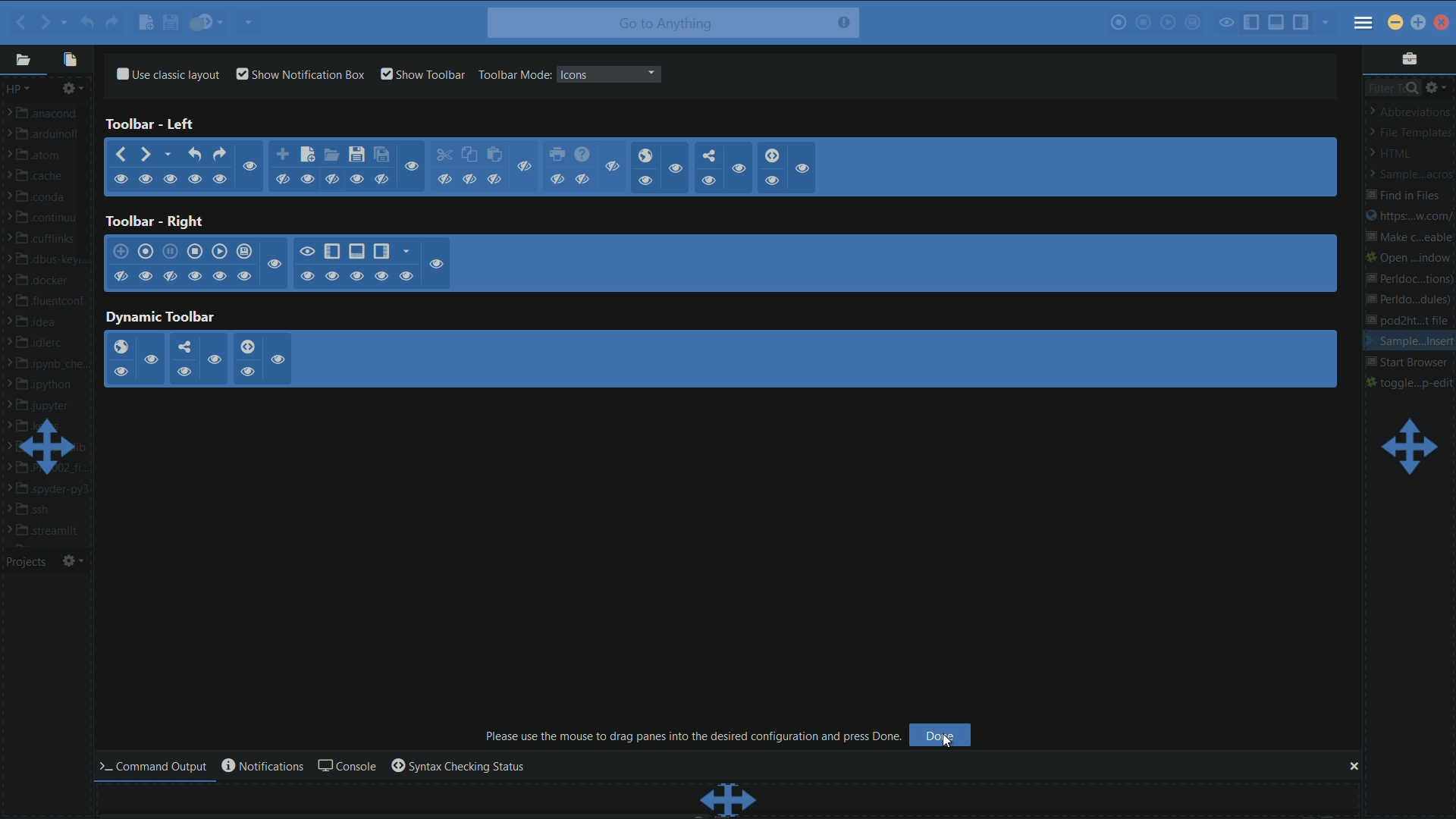 This screenshot has height=819, width=1456. I want to click on undo, so click(86, 23).